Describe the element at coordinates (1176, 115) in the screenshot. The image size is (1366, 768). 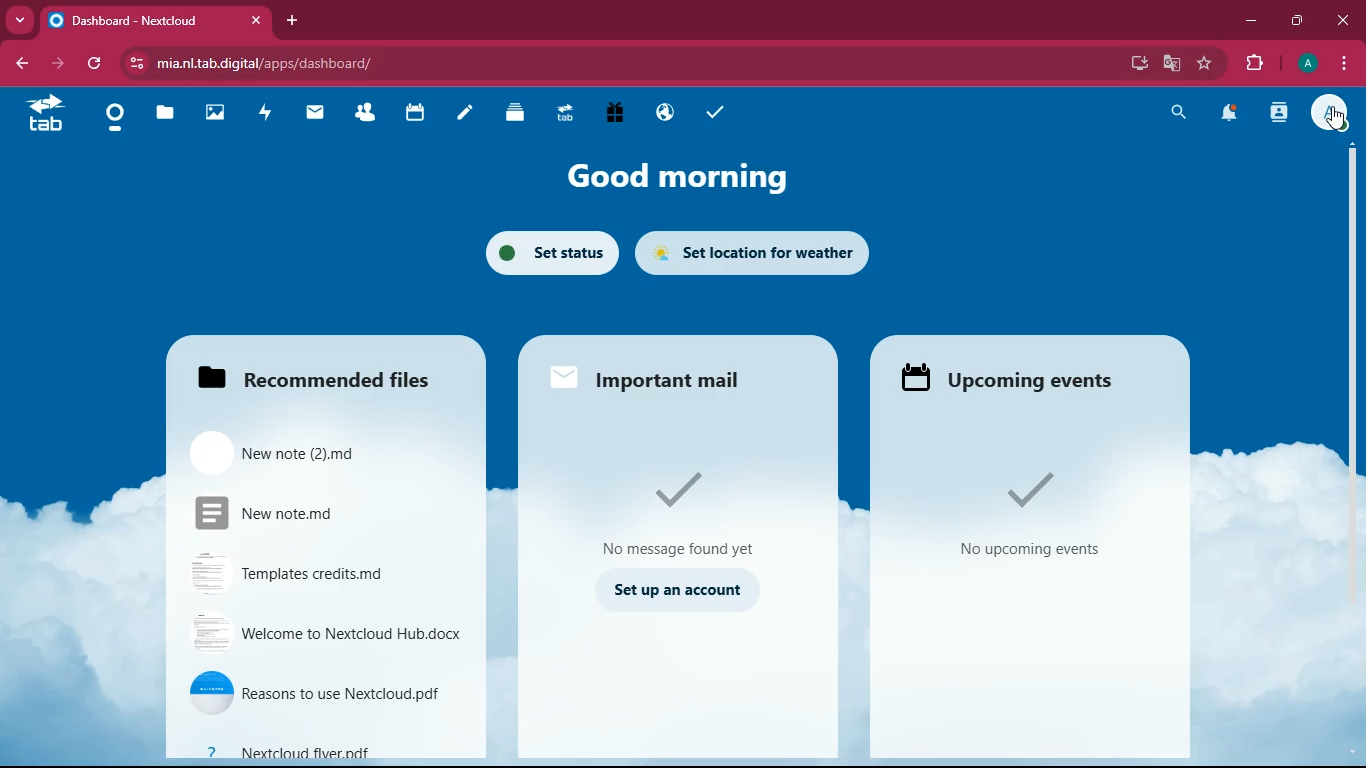
I see `search` at that location.